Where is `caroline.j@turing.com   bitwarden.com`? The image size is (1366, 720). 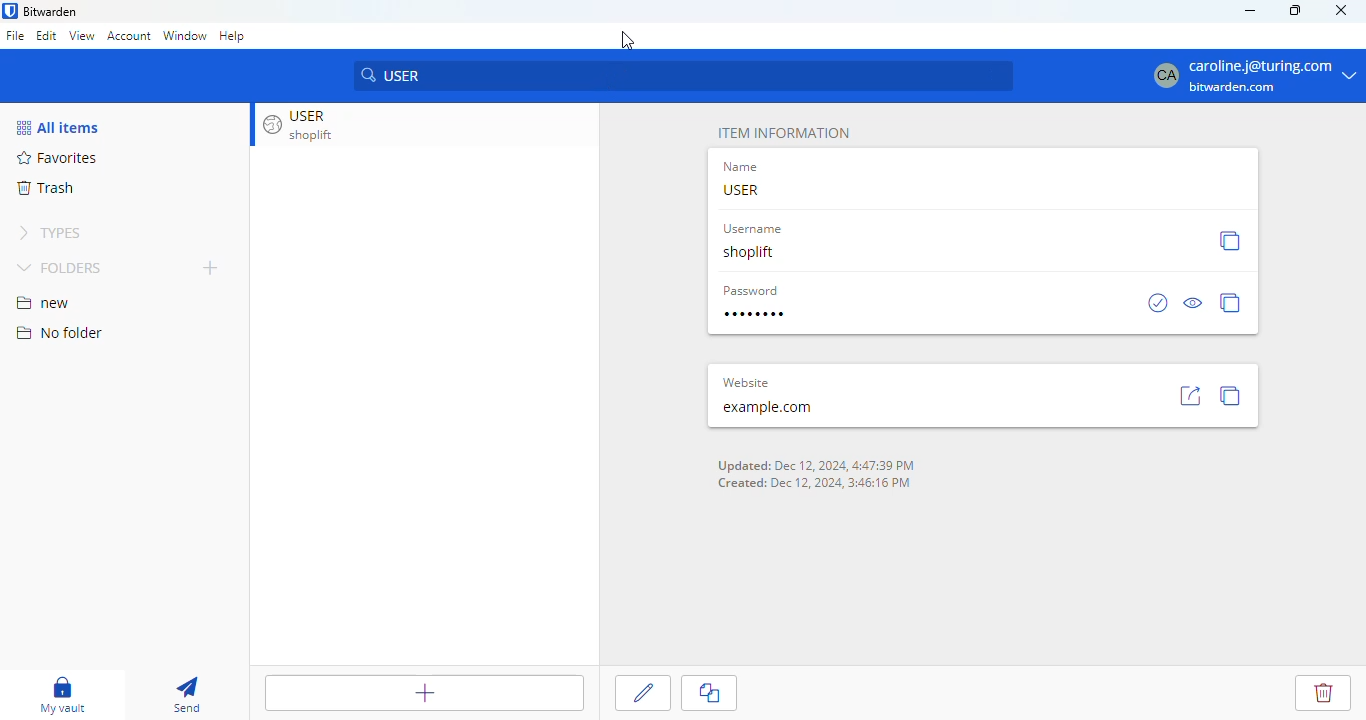 caroline.j@turing.com   bitwarden.com is located at coordinates (1251, 77).